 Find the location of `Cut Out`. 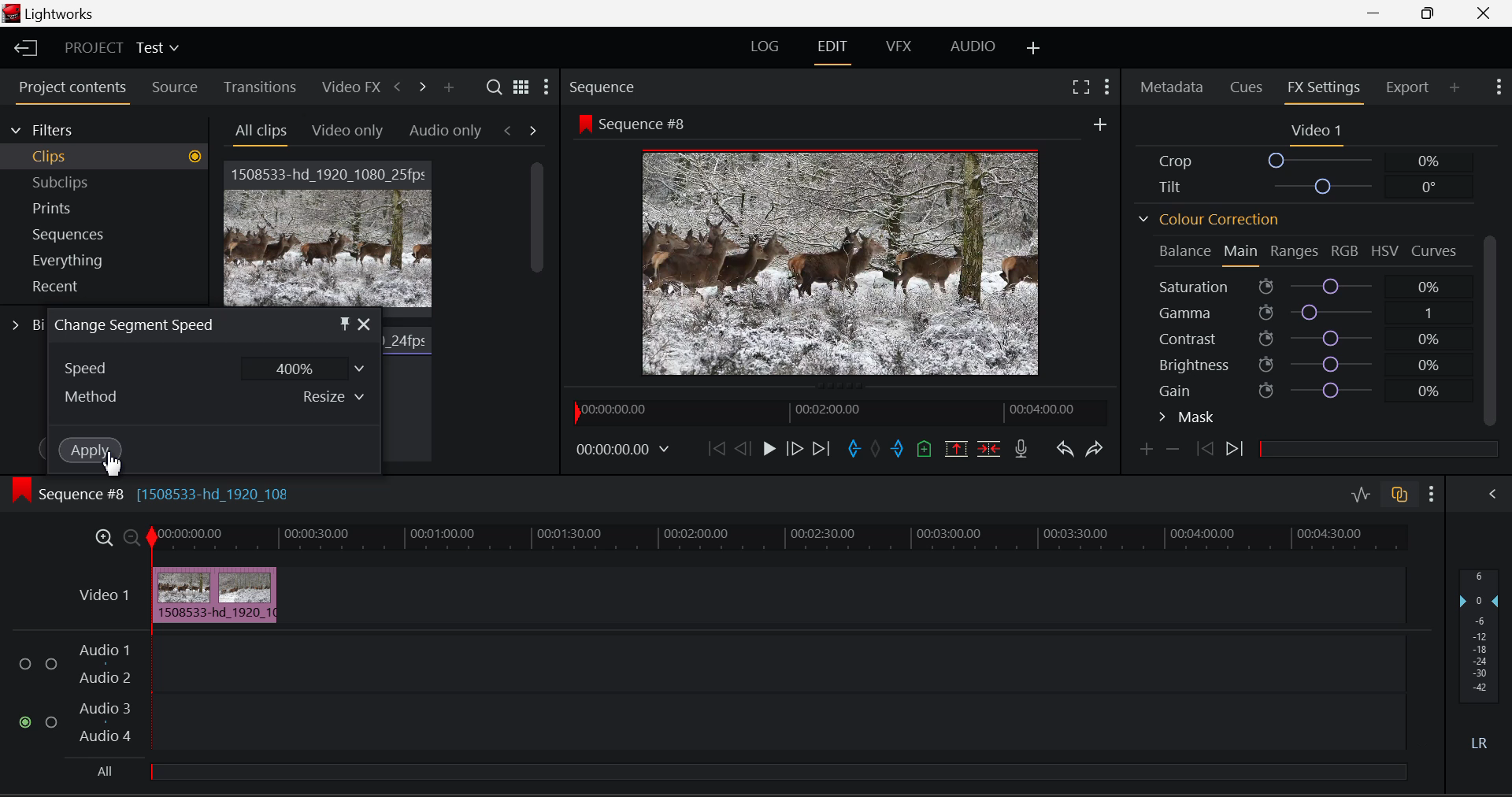

Cut Out is located at coordinates (899, 450).